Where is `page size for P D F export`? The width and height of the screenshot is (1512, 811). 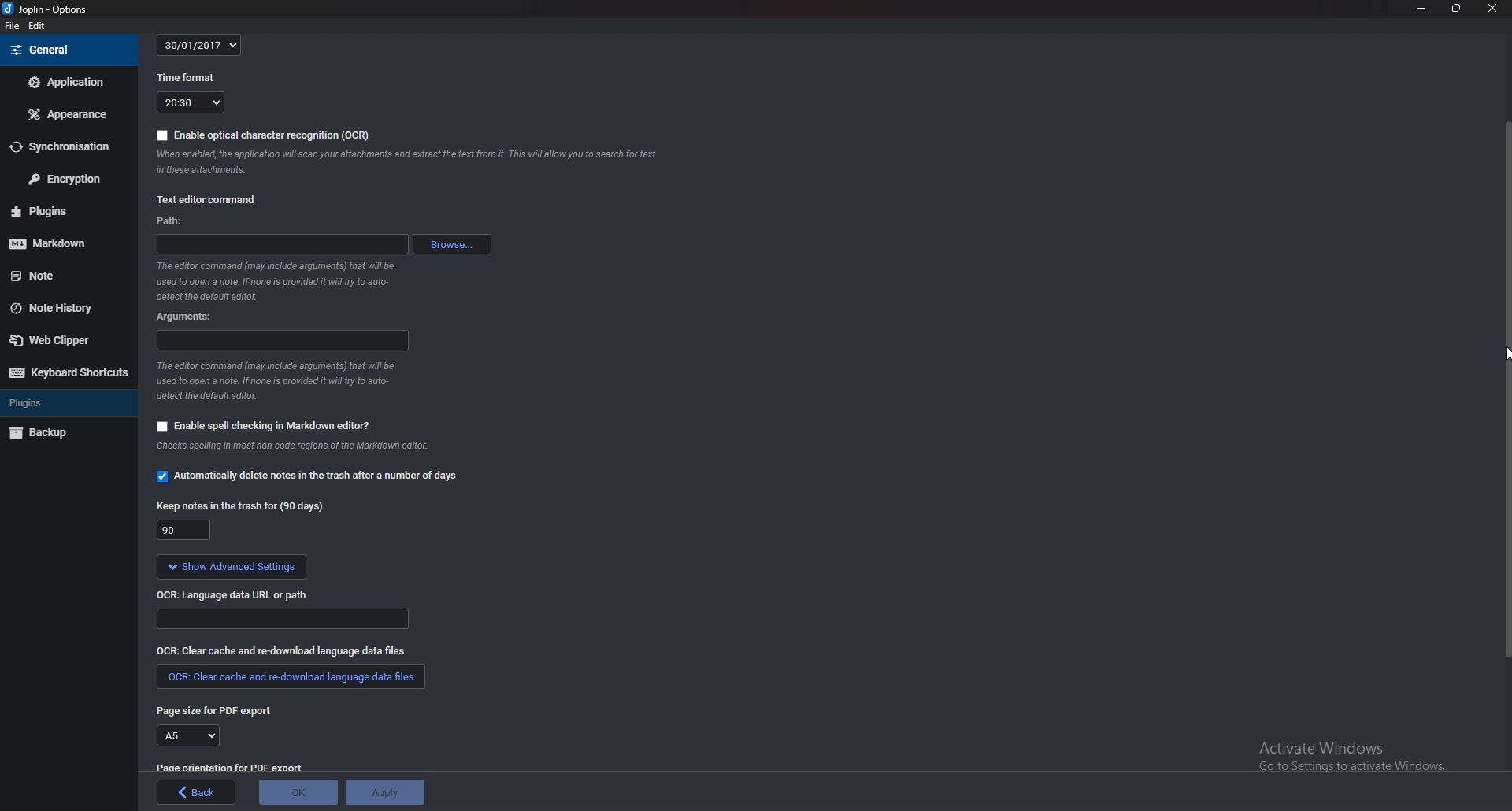 page size for P D F export is located at coordinates (220, 713).